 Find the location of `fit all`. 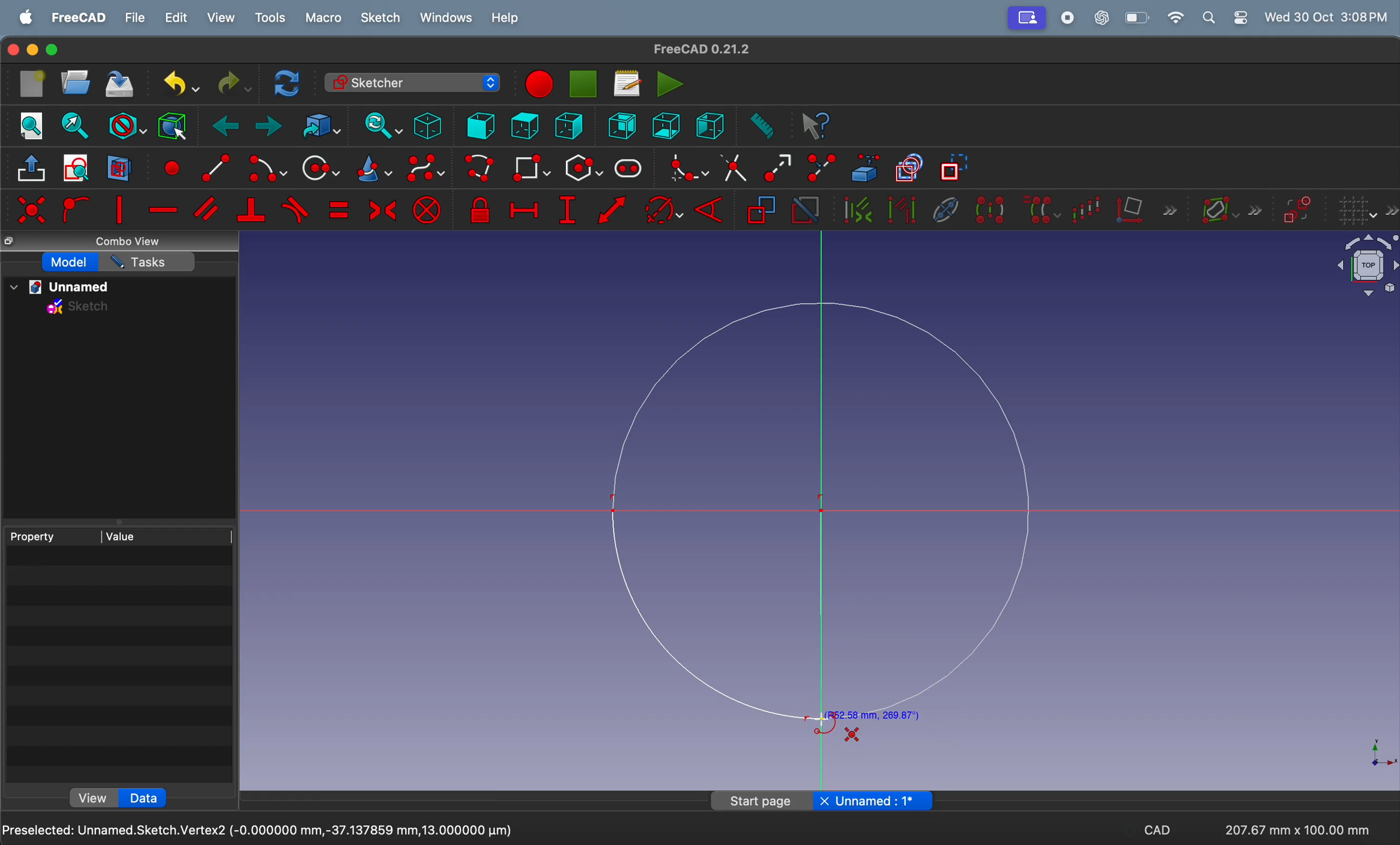

fit all is located at coordinates (32, 124).